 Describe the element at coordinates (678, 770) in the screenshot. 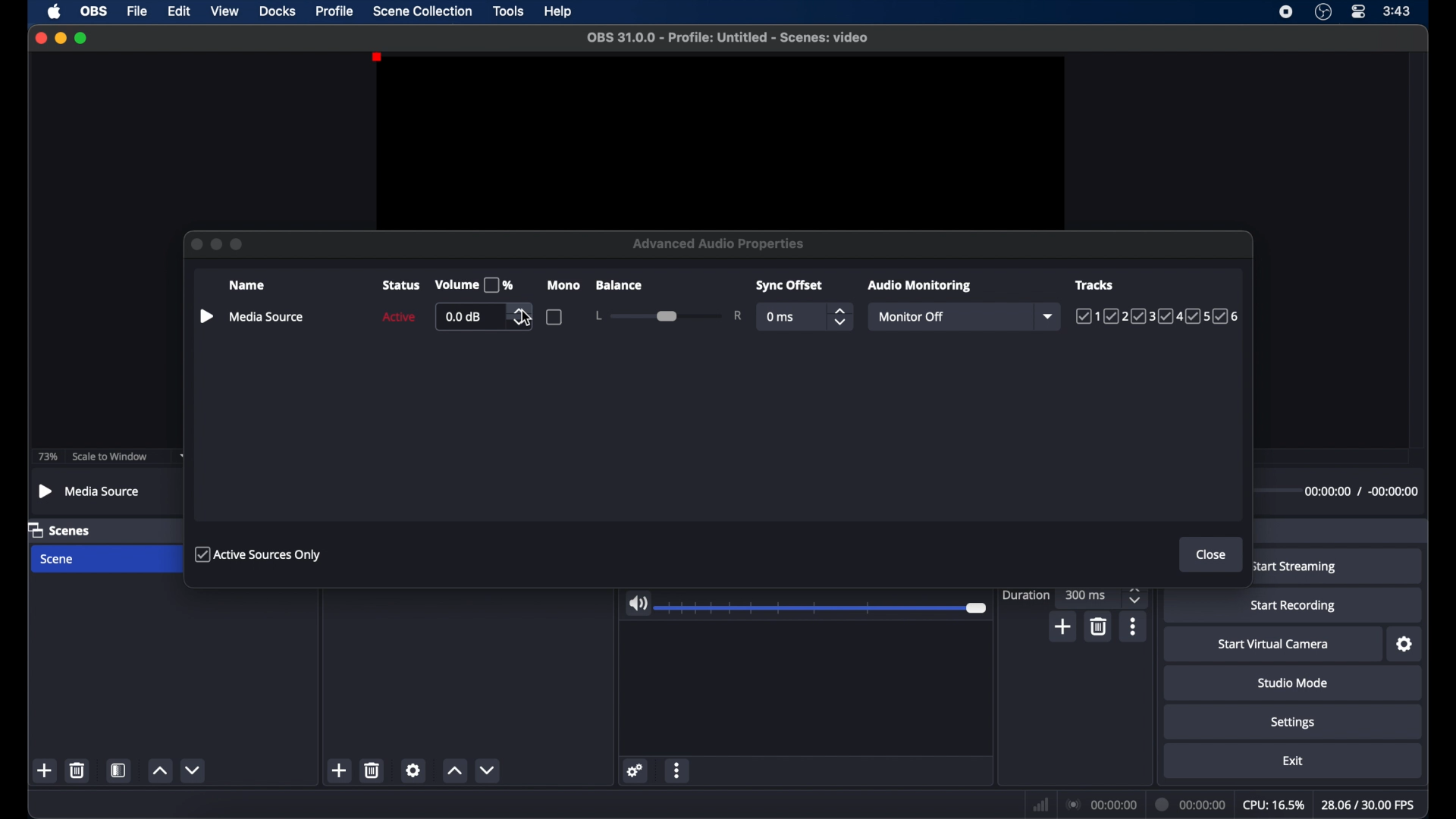

I see `more options` at that location.